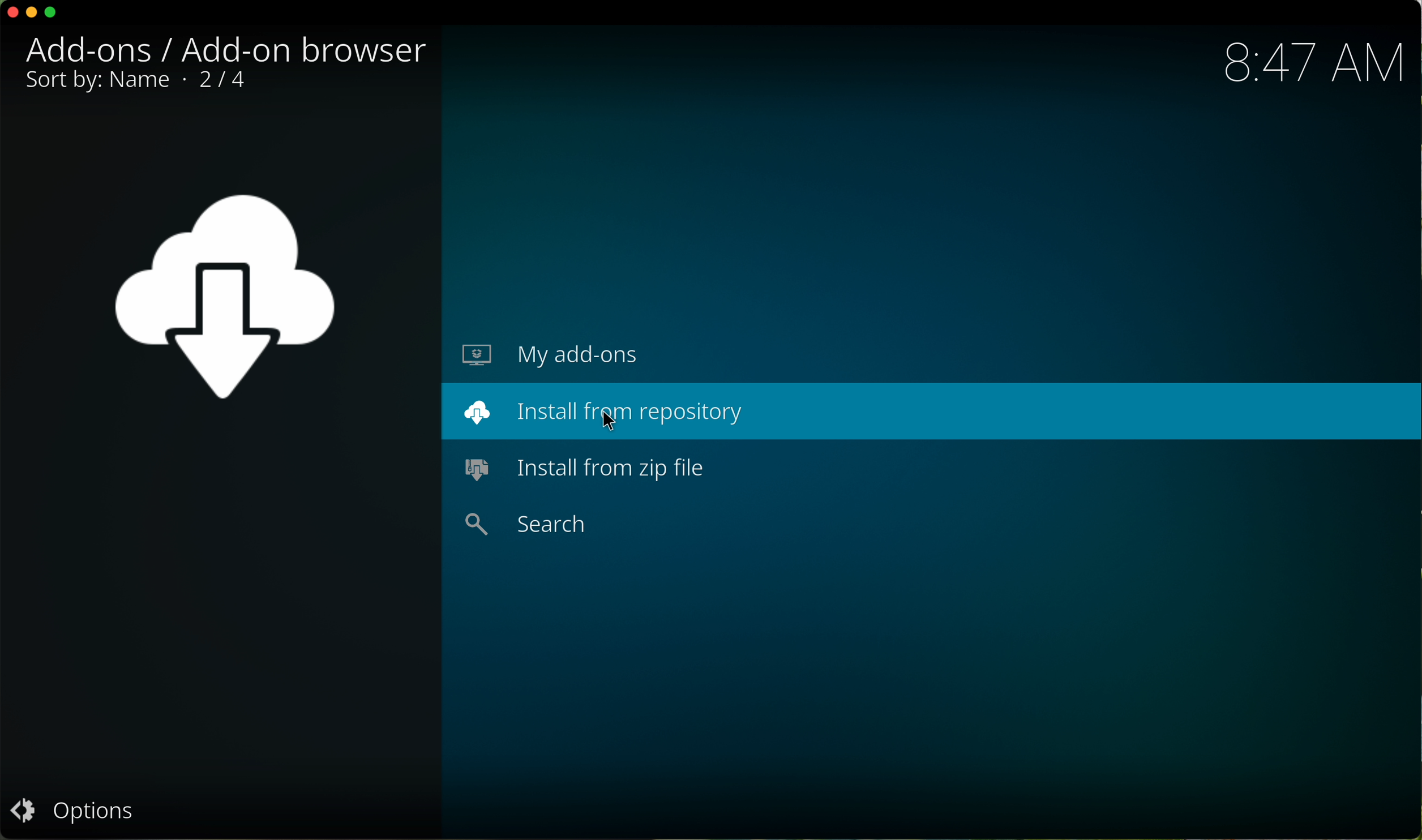 The width and height of the screenshot is (1422, 840). What do you see at coordinates (532, 529) in the screenshot?
I see `search` at bounding box center [532, 529].